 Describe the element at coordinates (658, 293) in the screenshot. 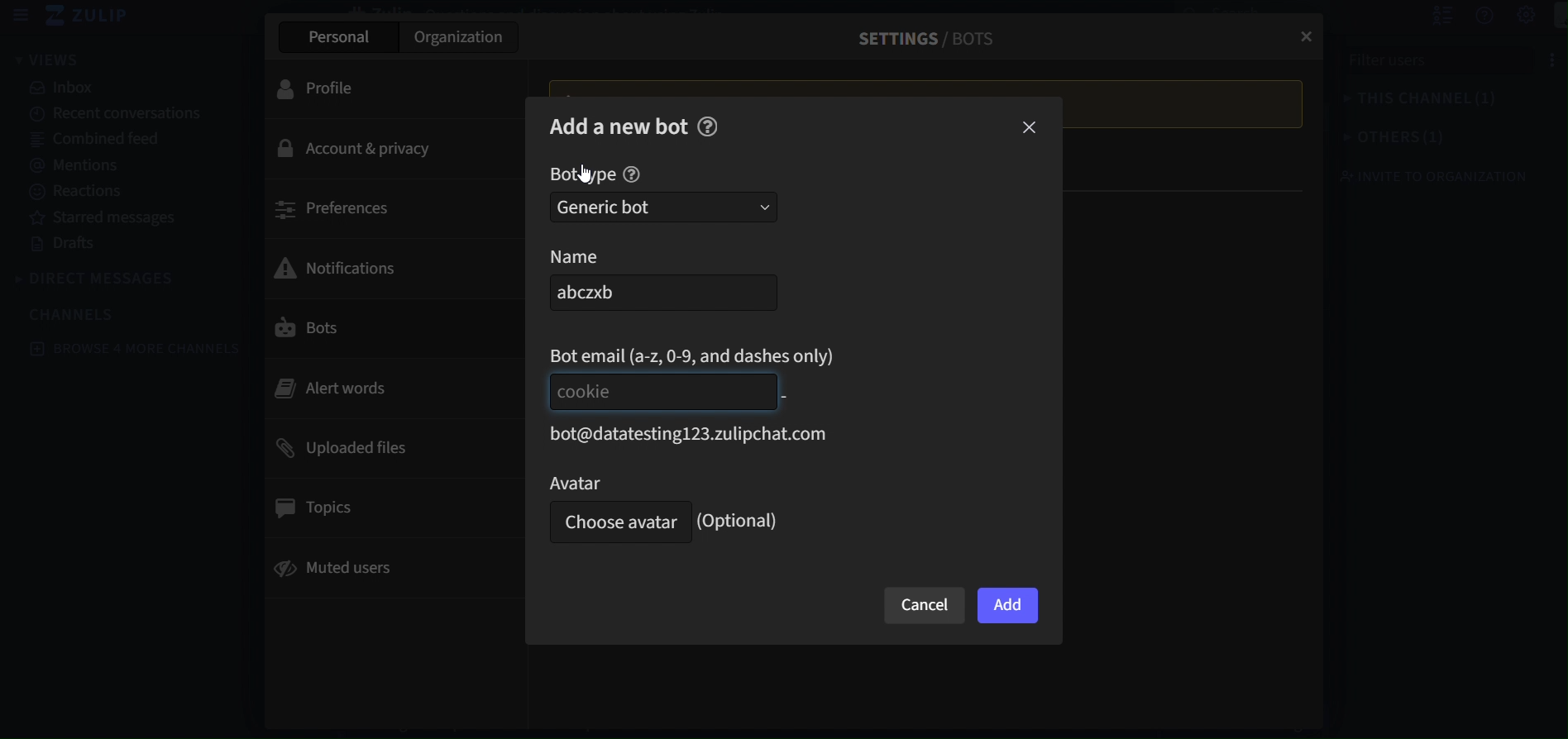

I see `abczxb` at that location.